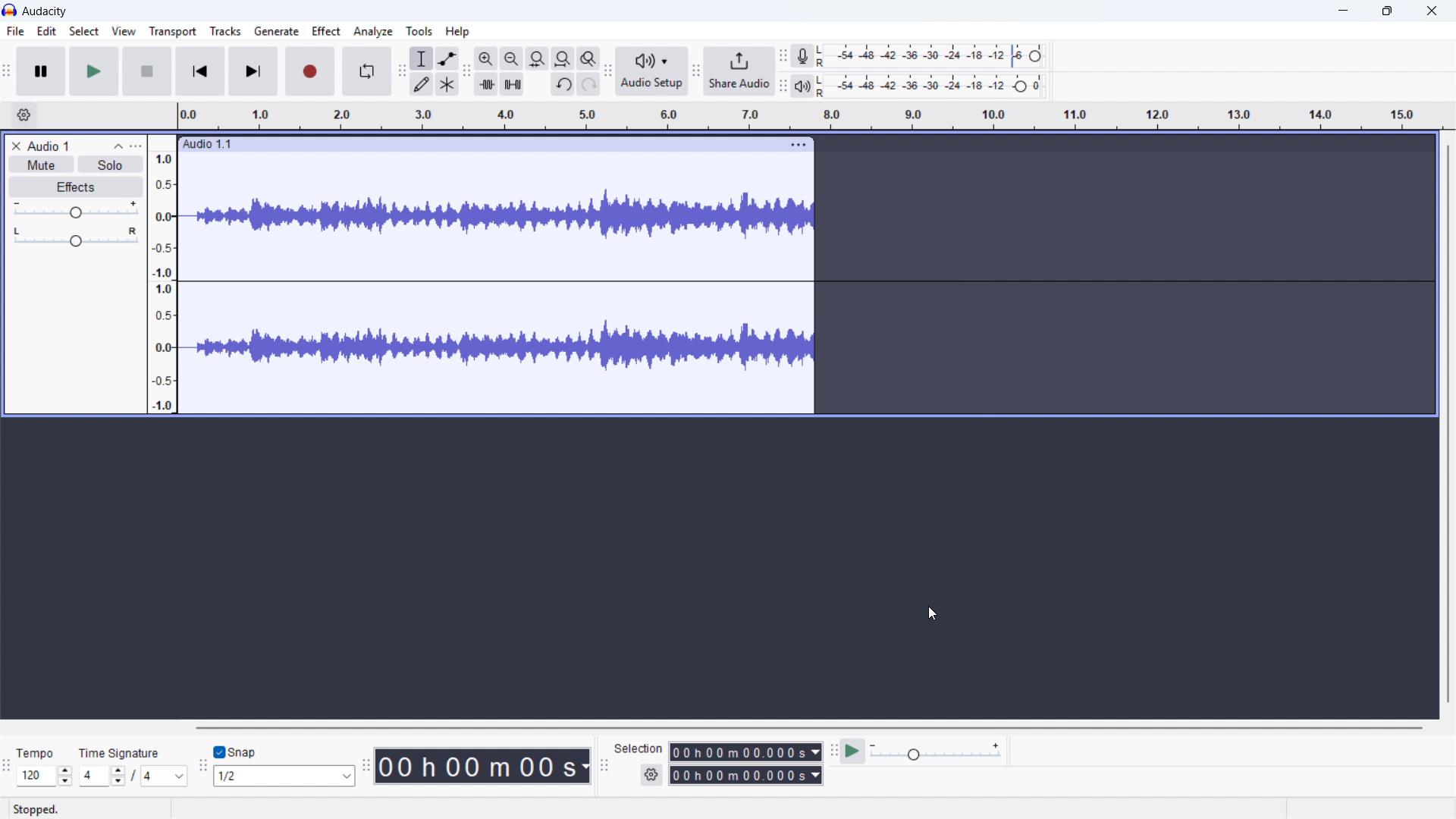 The image size is (1456, 819). What do you see at coordinates (651, 774) in the screenshot?
I see `Selection settings ` at bounding box center [651, 774].